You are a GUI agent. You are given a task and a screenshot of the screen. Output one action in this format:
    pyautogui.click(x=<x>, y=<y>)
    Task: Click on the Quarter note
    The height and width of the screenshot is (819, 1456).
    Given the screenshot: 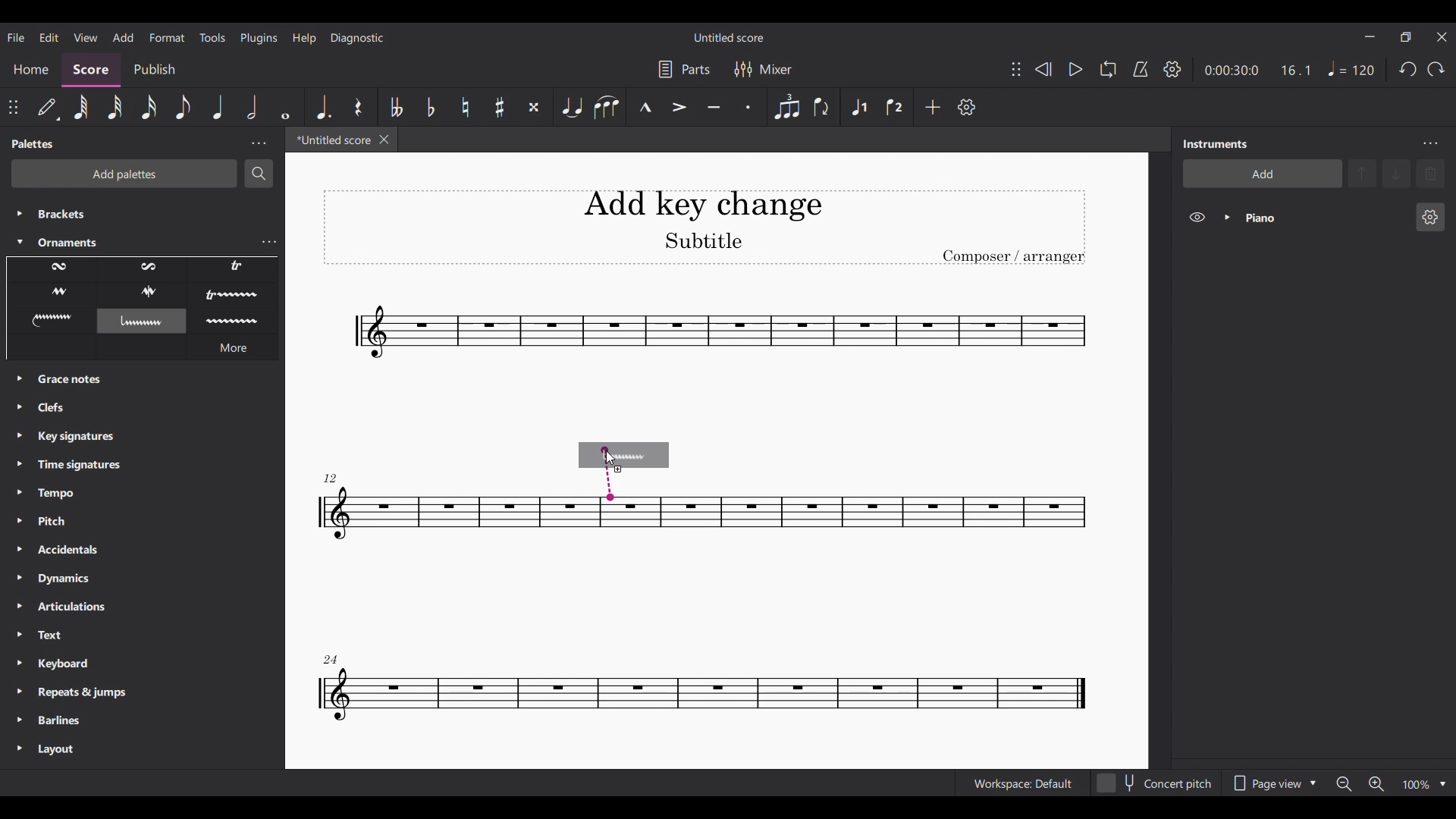 What is the action you would take?
    pyautogui.click(x=218, y=106)
    